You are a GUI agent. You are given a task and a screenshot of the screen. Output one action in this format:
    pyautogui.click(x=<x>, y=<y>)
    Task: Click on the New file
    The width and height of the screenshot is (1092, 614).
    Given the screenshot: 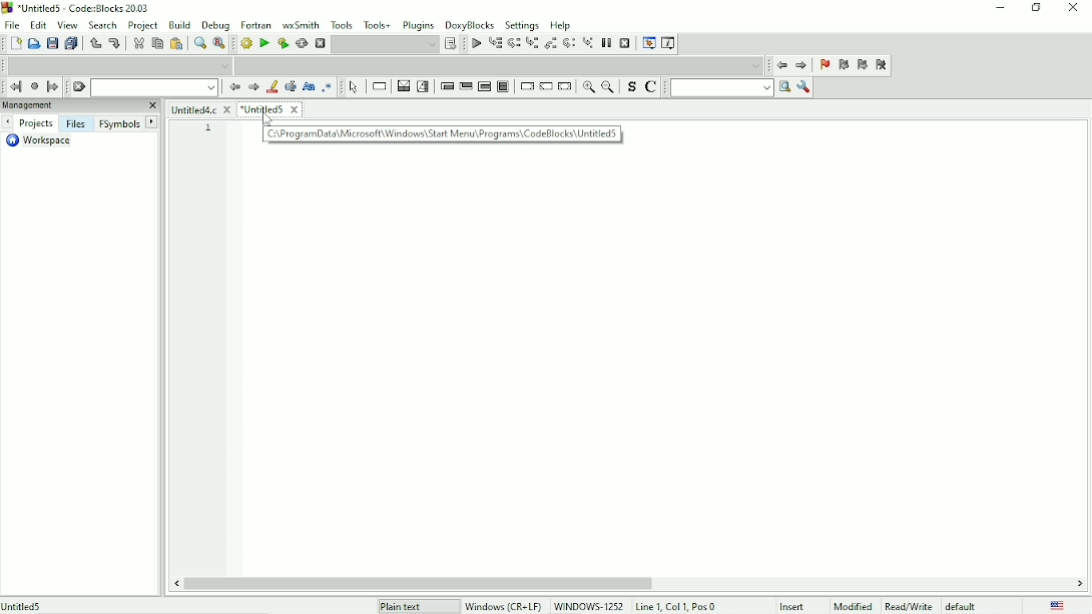 What is the action you would take?
    pyautogui.click(x=15, y=43)
    